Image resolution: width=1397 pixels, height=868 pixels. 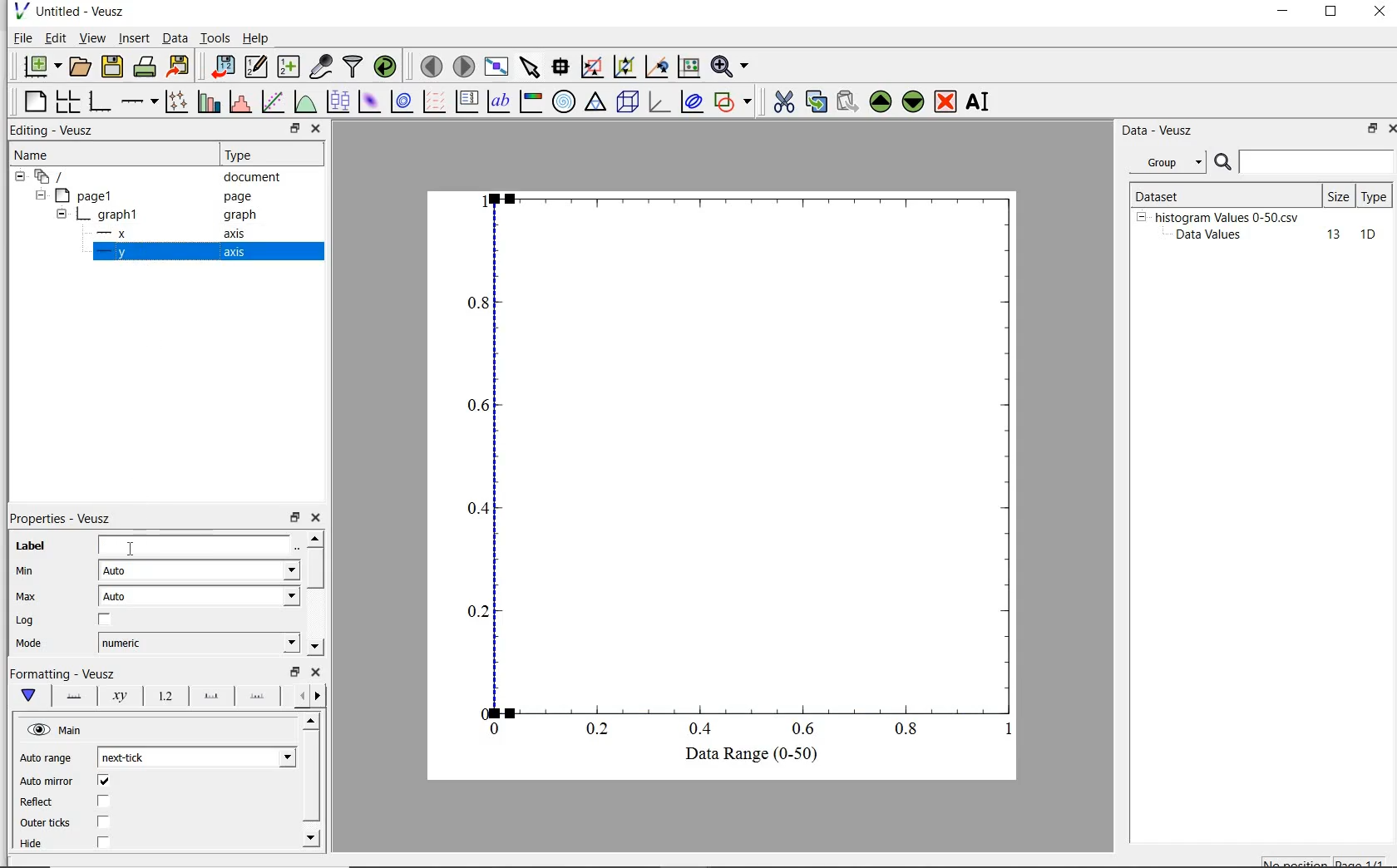 I want to click on file, so click(x=22, y=37).